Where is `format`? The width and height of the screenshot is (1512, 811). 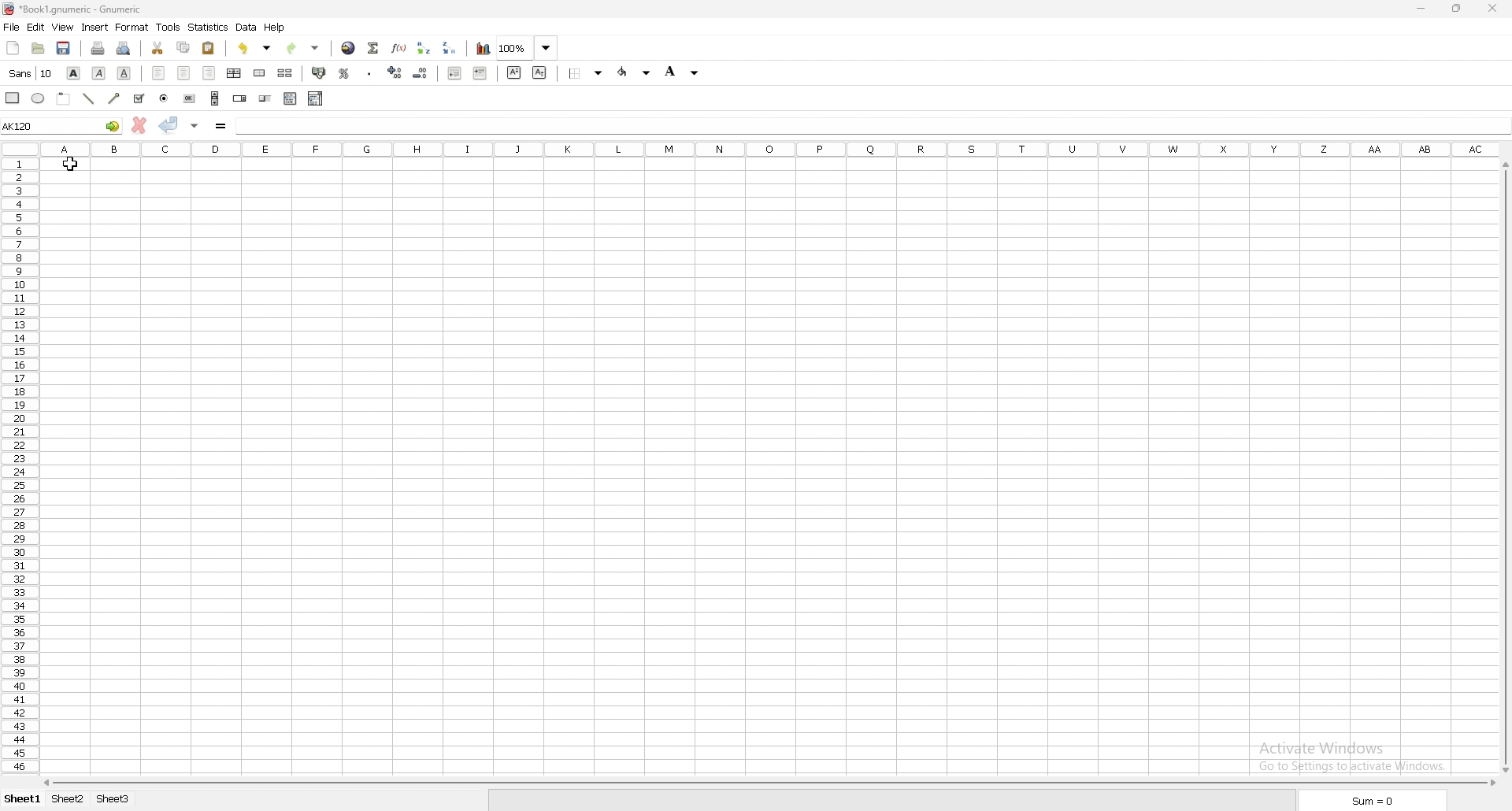 format is located at coordinates (132, 27).